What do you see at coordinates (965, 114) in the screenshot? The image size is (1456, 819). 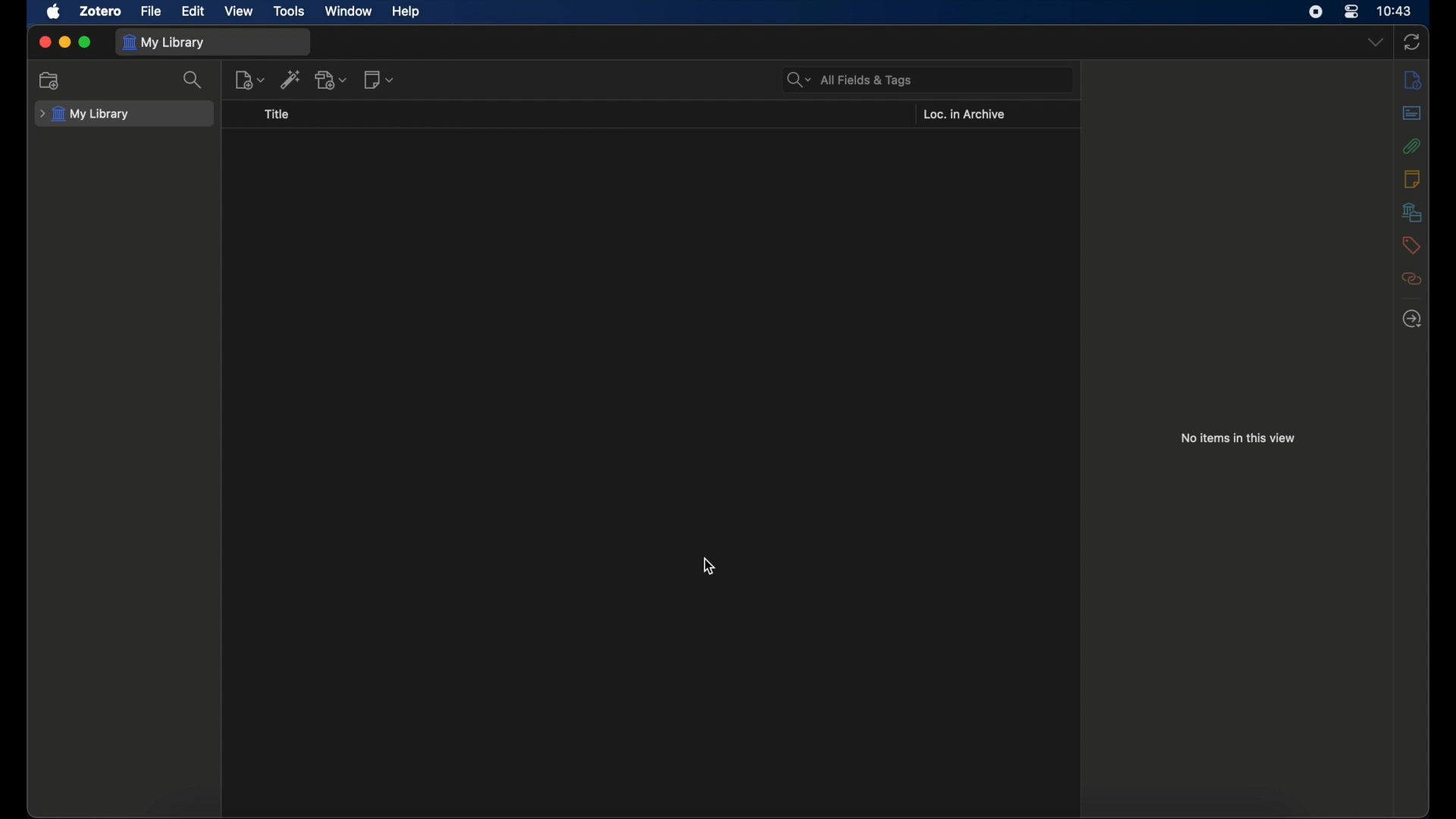 I see `loc. in archive` at bounding box center [965, 114].